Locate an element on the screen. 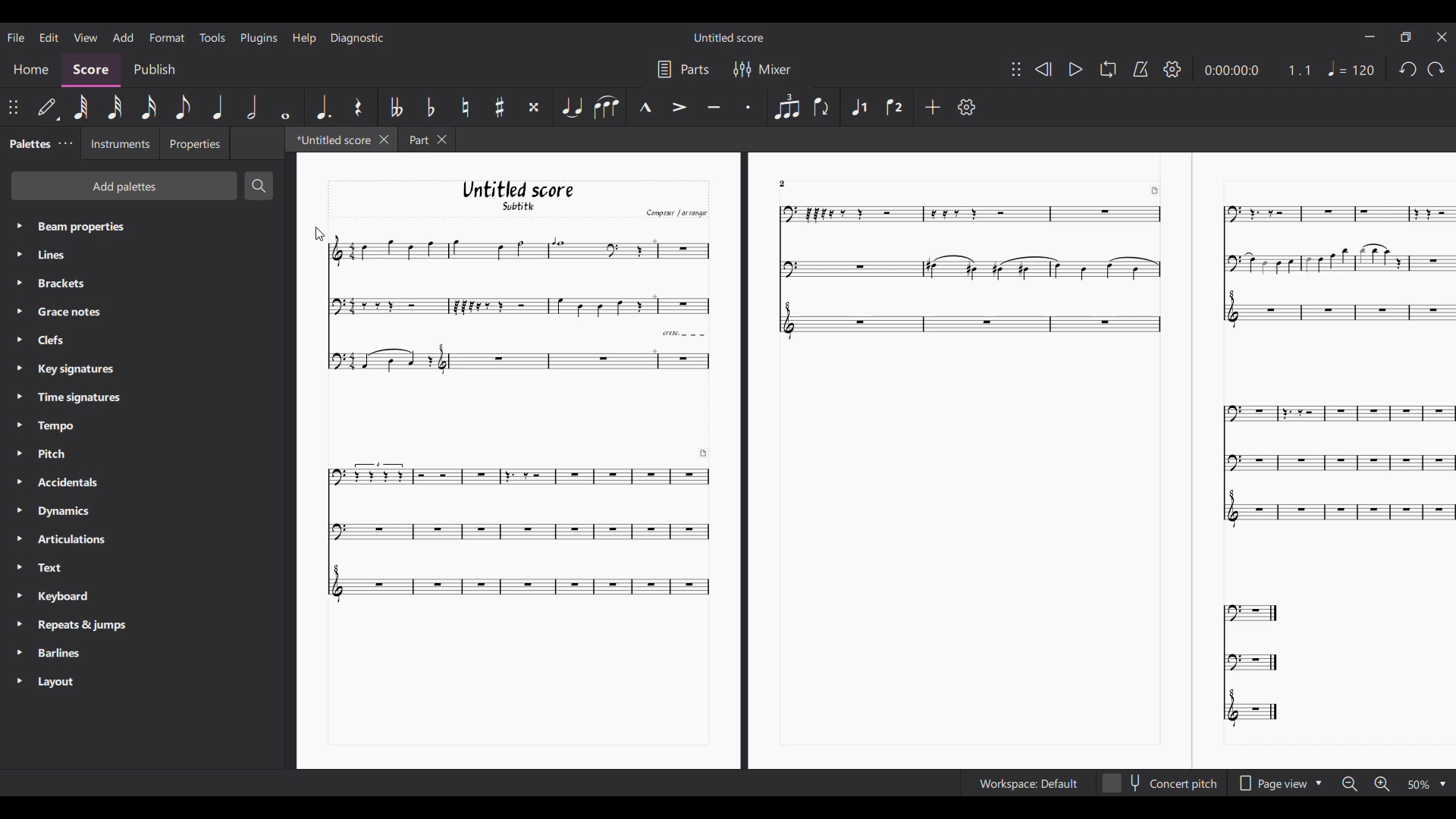 Image resolution: width=1456 pixels, height=819 pixels. Marcato is located at coordinates (645, 107).